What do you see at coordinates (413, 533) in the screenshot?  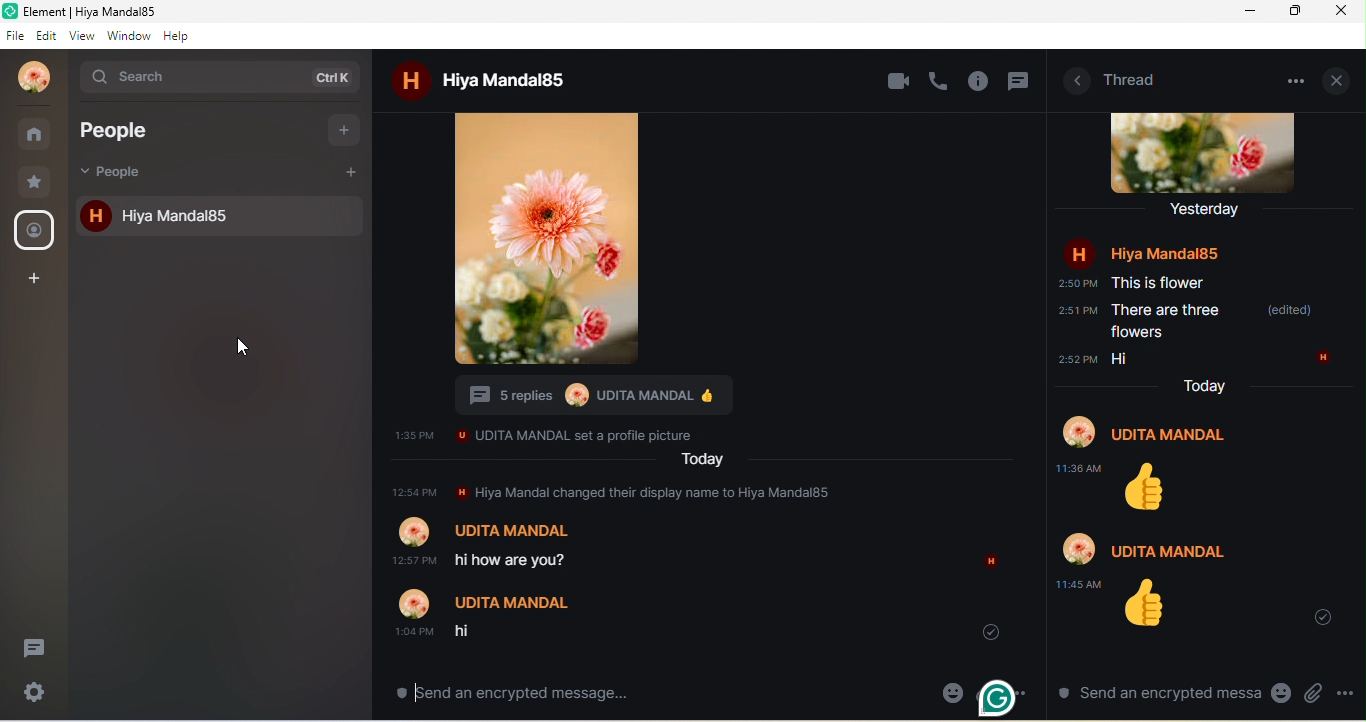 I see `Profile picture` at bounding box center [413, 533].